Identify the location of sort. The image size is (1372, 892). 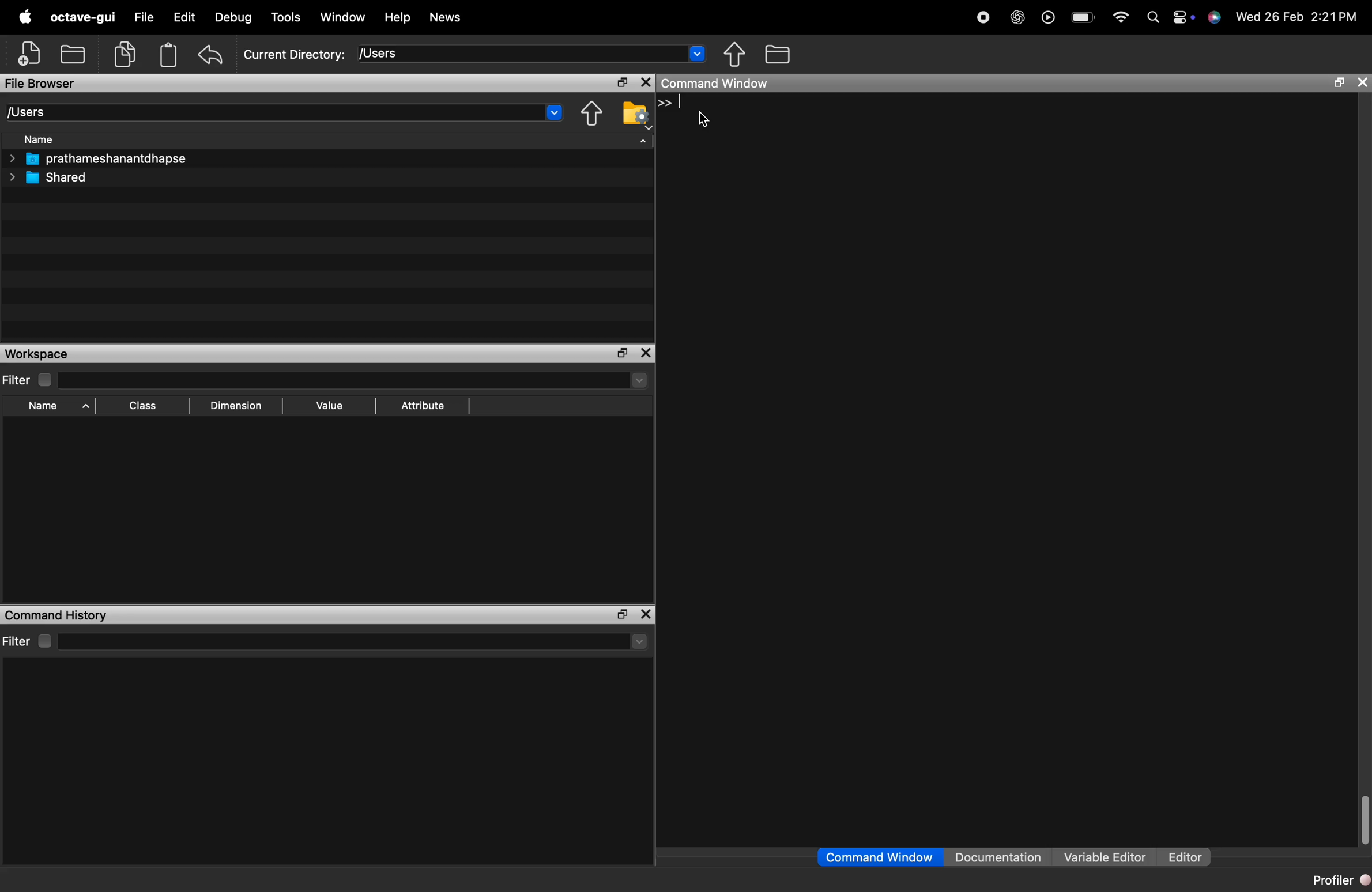
(87, 406).